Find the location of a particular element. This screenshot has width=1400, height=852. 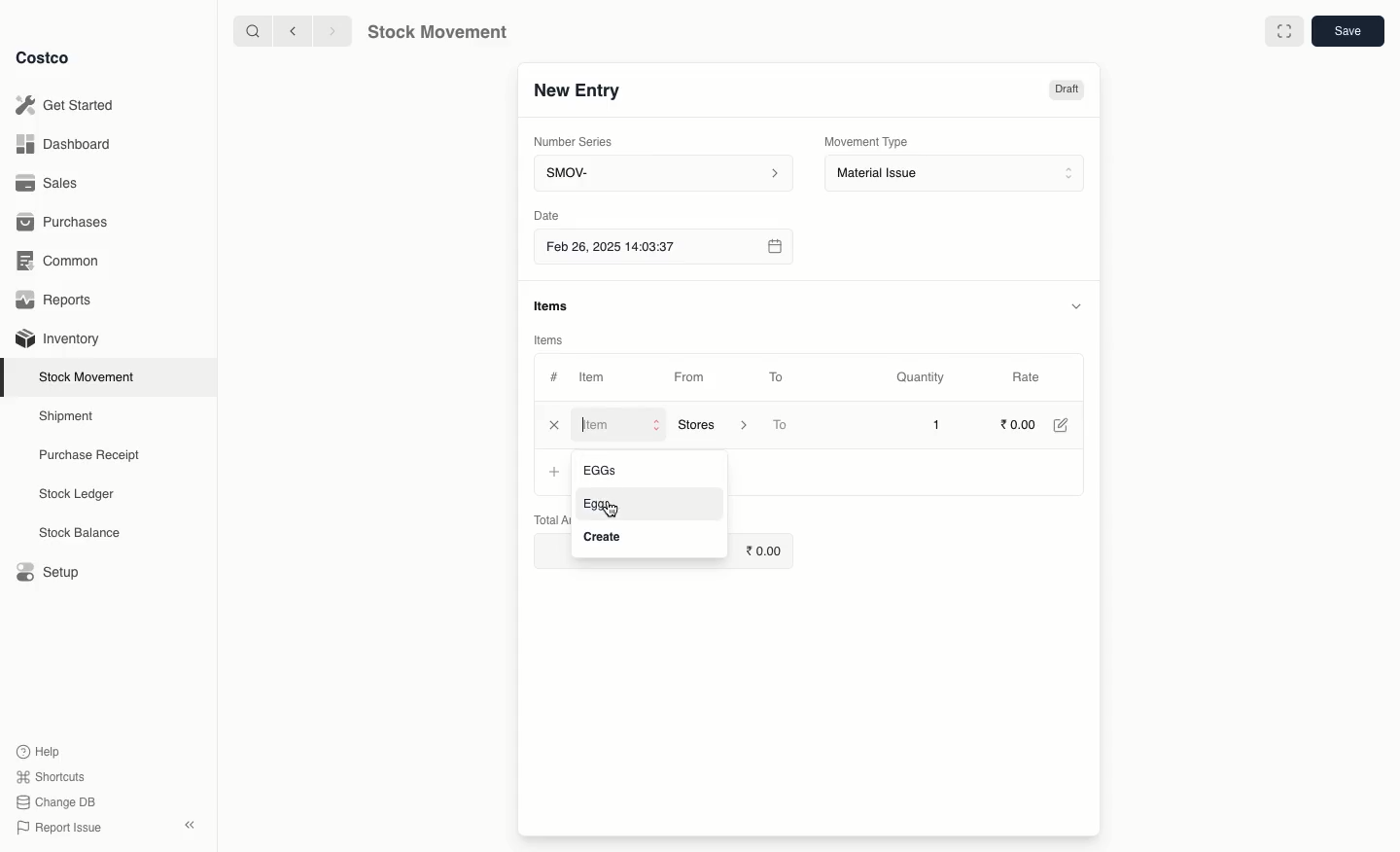

Dashboard is located at coordinates (65, 146).